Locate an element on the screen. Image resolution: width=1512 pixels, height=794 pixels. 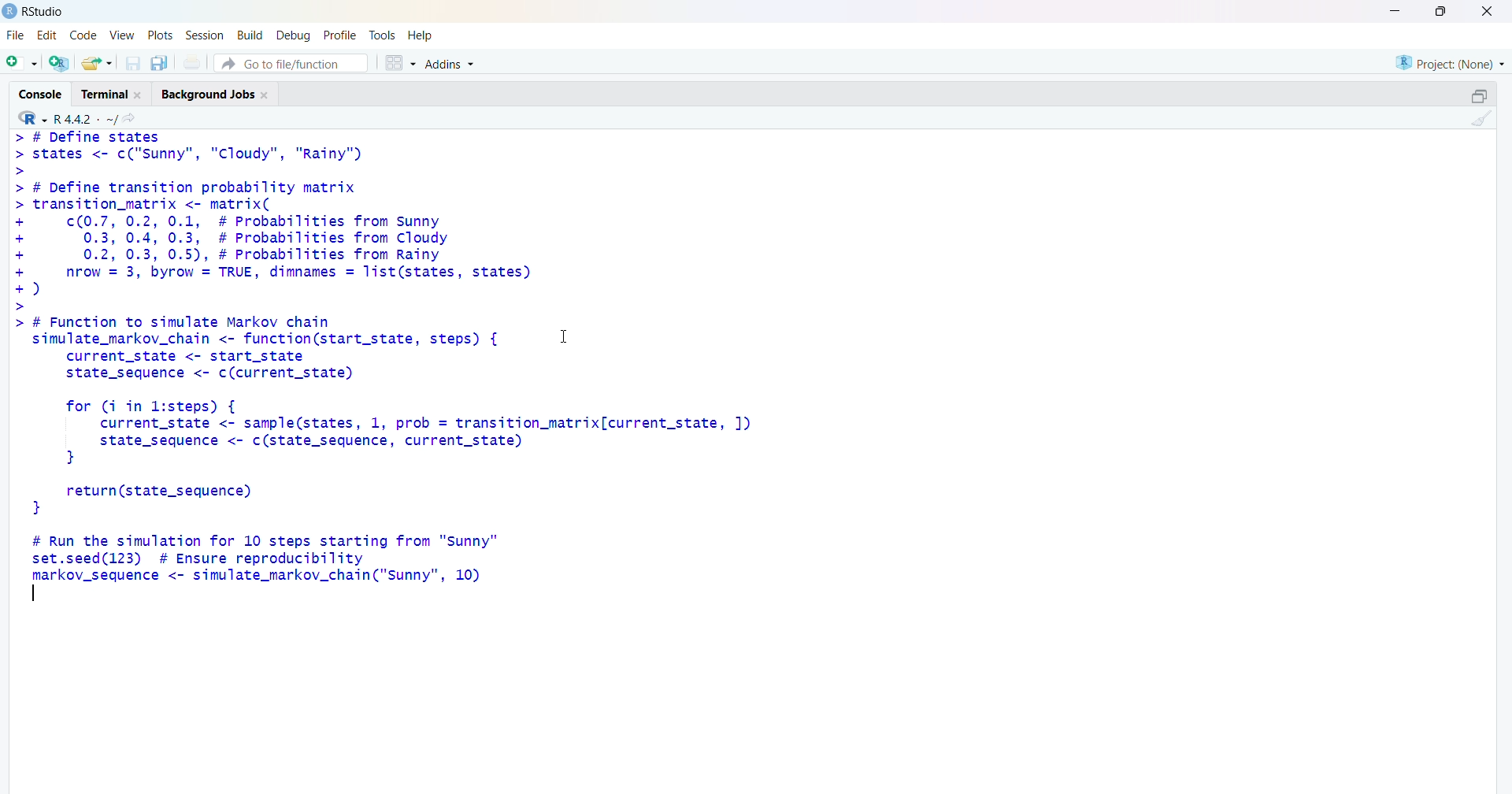
tools is located at coordinates (384, 33).